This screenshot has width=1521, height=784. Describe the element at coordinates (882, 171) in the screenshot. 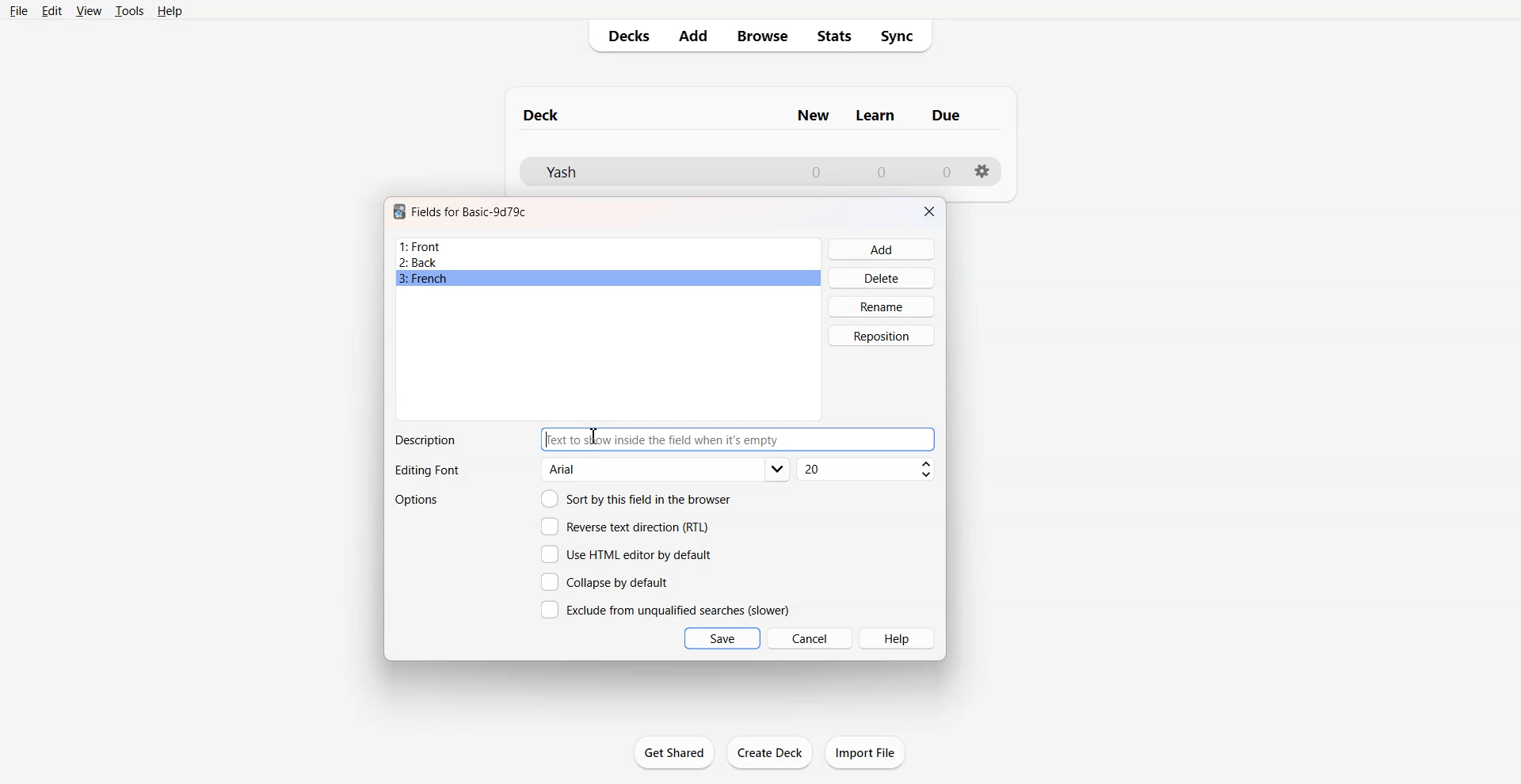

I see `Number of Learn cards` at that location.